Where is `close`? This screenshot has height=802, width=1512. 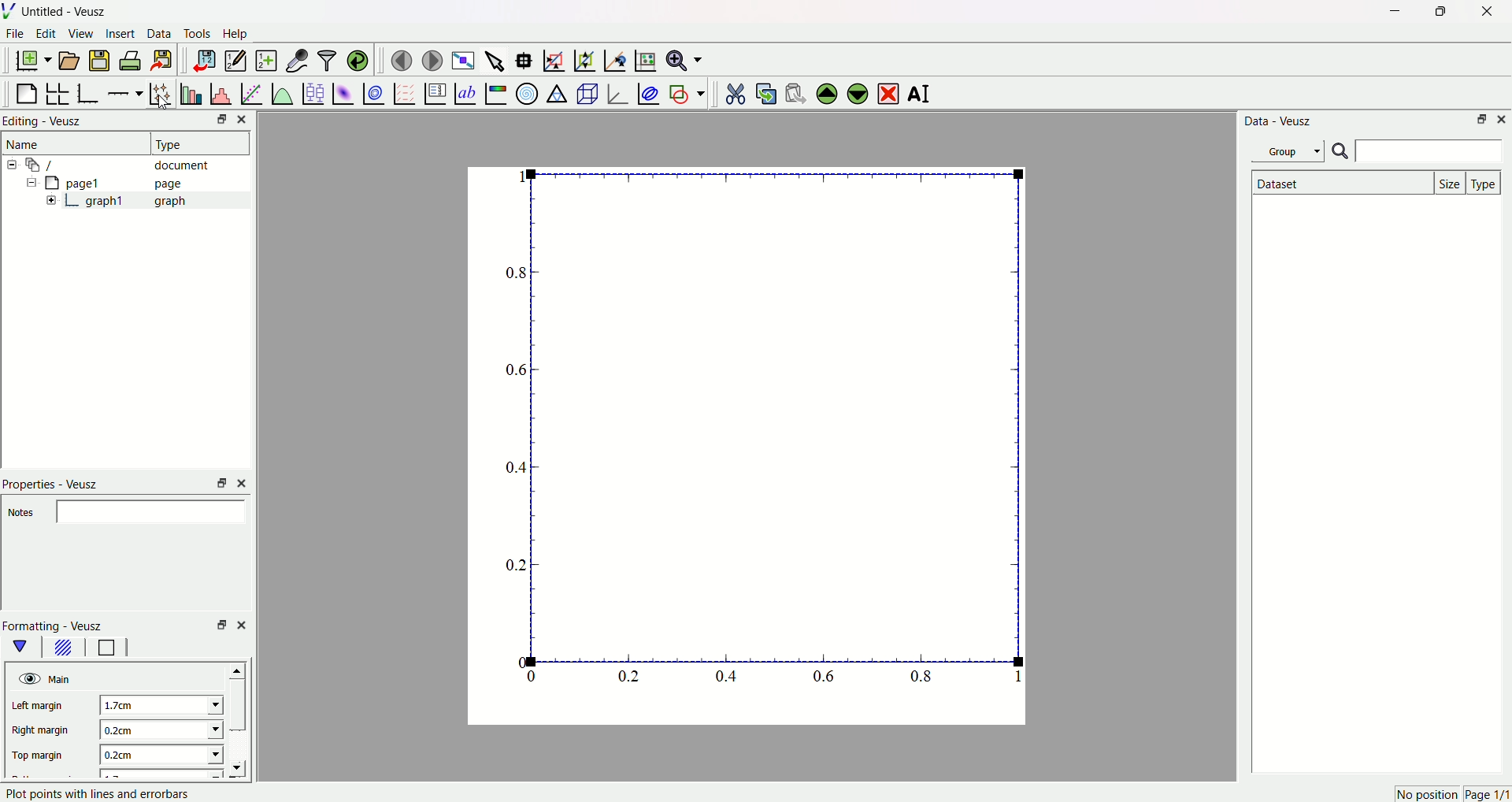
close is located at coordinates (242, 623).